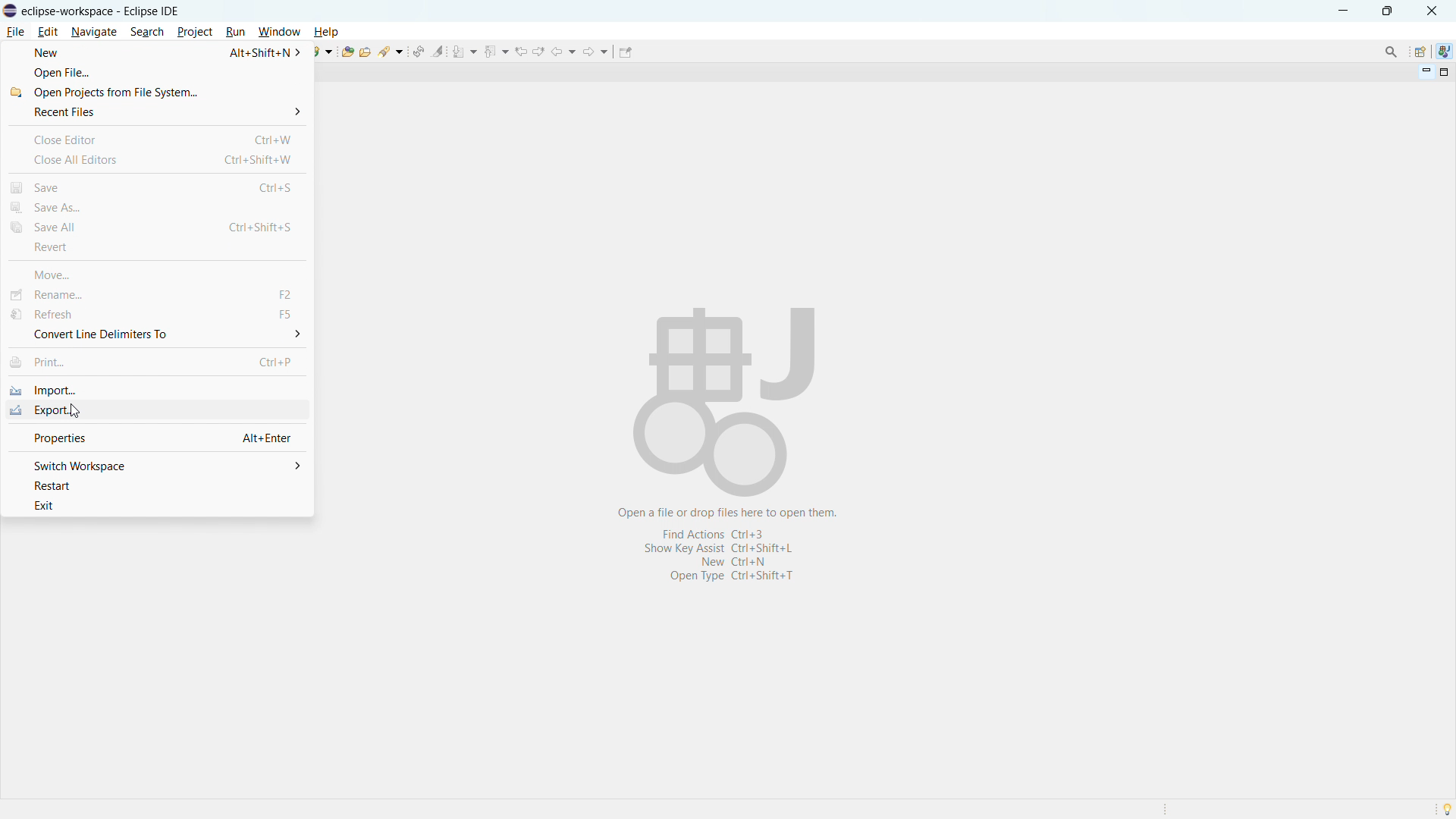 This screenshot has height=819, width=1456. What do you see at coordinates (1424, 73) in the screenshot?
I see `minimize view` at bounding box center [1424, 73].